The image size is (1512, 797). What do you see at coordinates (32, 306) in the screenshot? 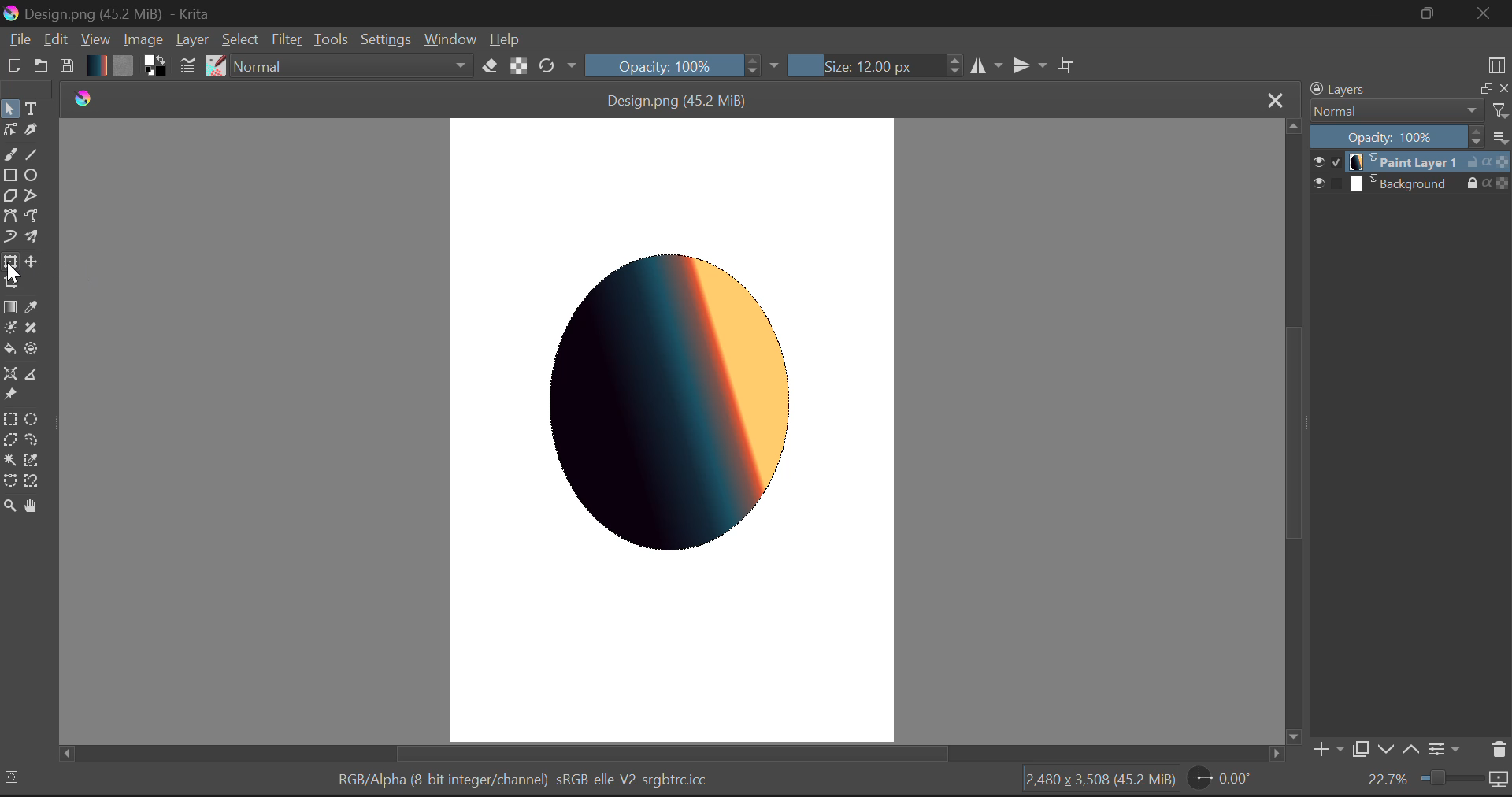
I see `Eyedropper` at bounding box center [32, 306].